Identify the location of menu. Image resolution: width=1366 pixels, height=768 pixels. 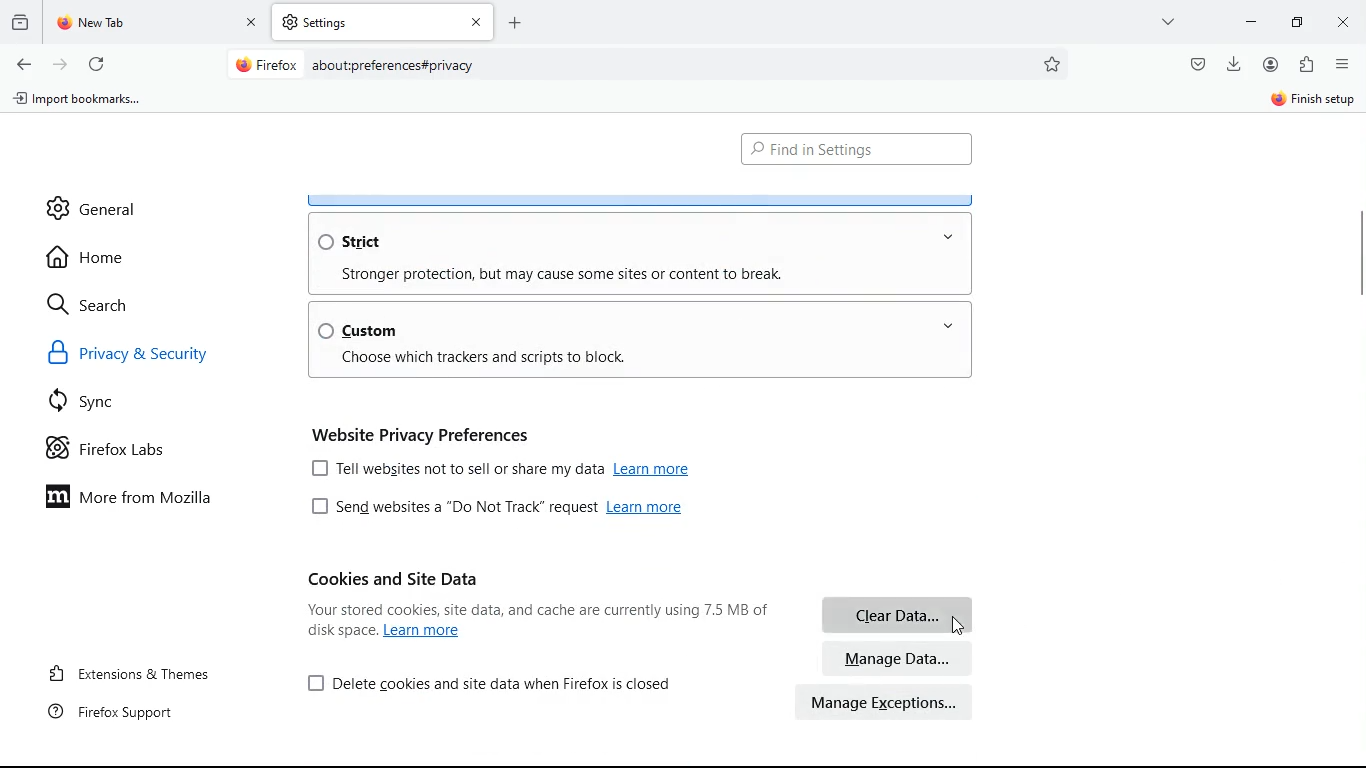
(1343, 64).